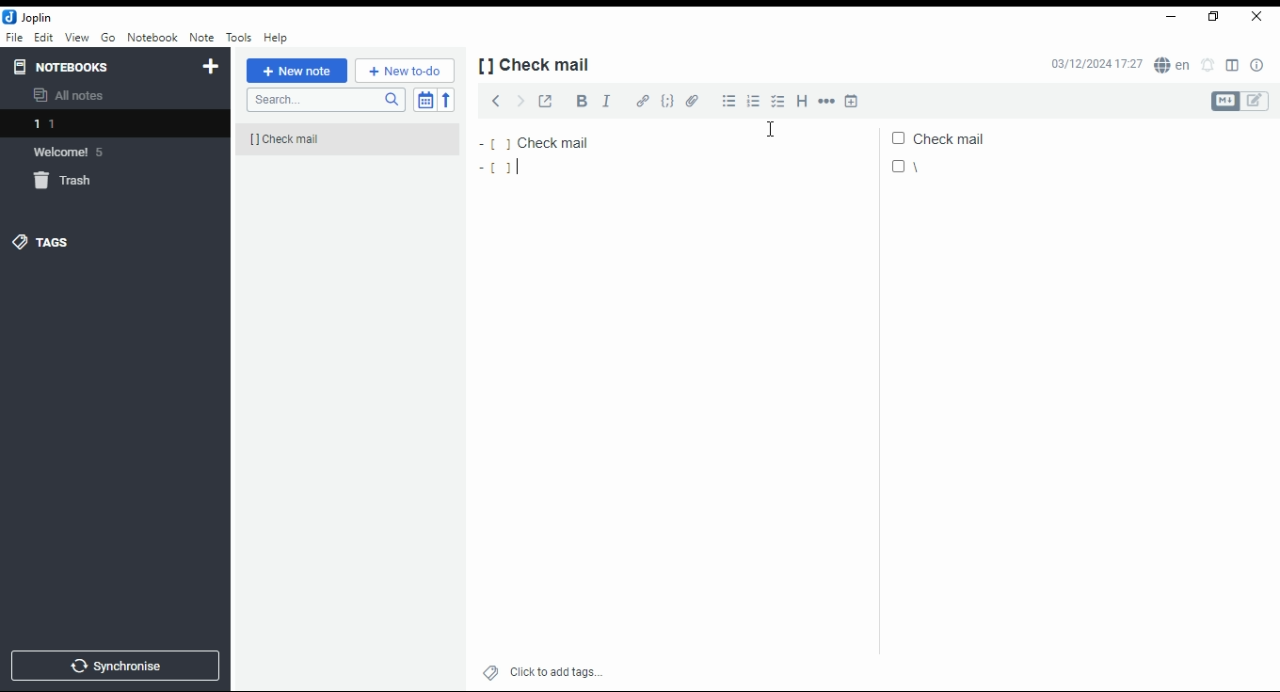  I want to click on set alarm, so click(1211, 65).